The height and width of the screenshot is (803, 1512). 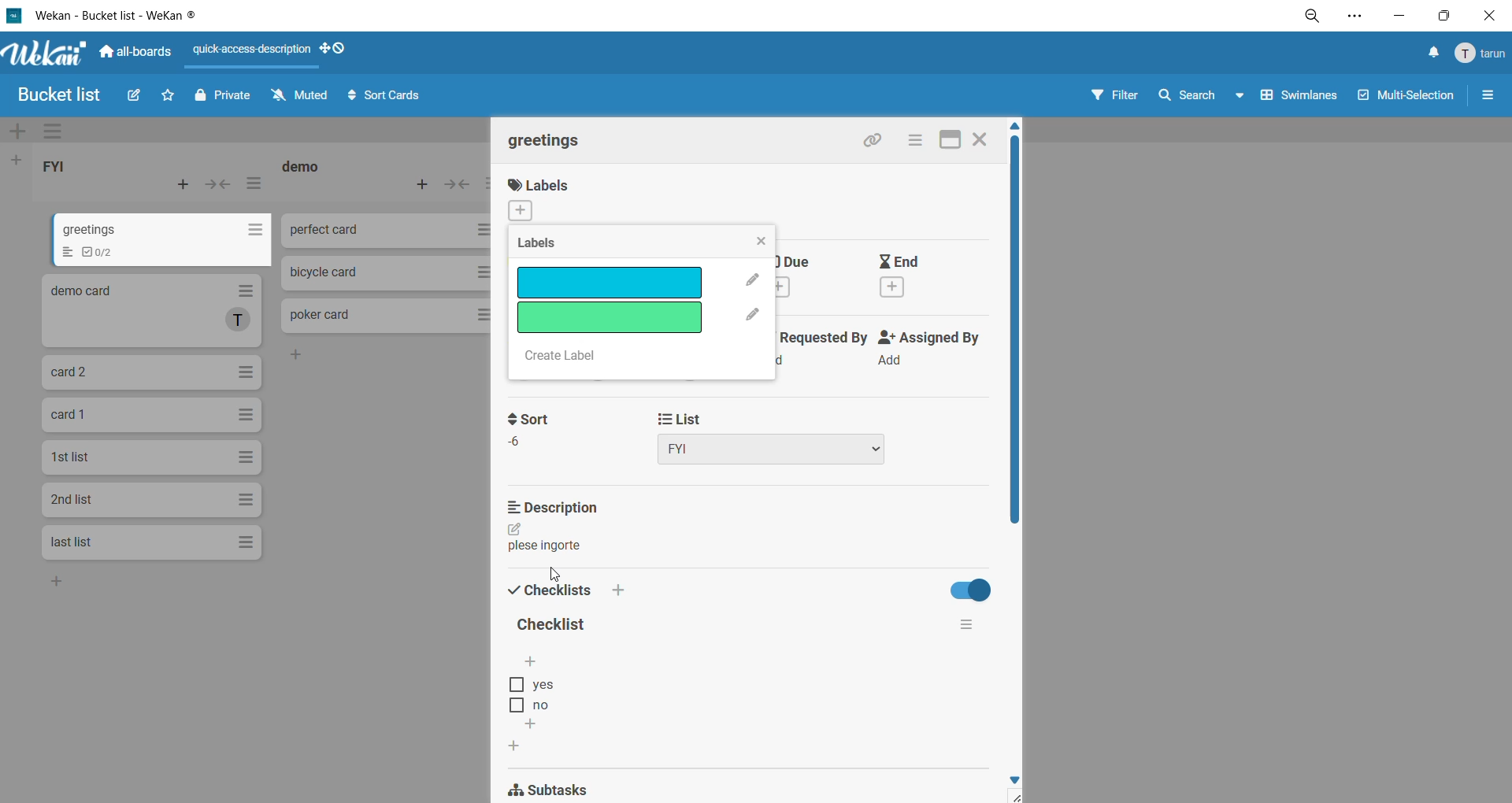 I want to click on removed label, so click(x=610, y=282).